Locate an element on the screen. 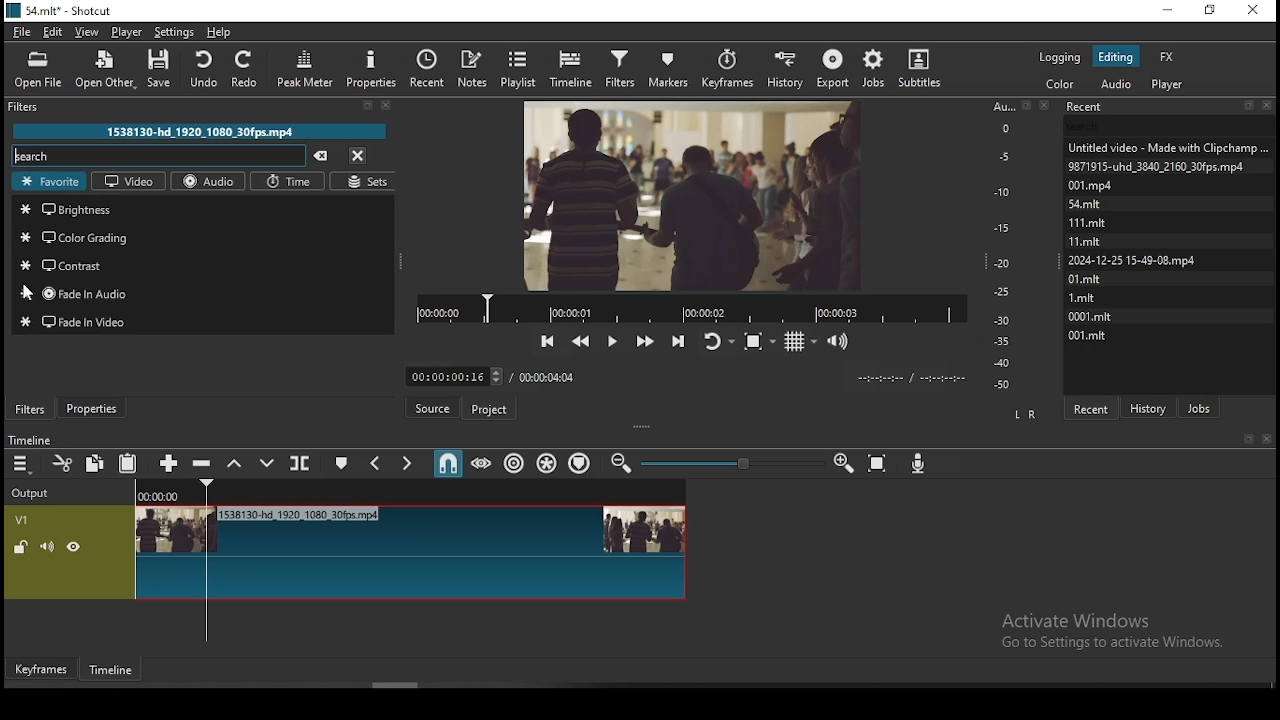 The image size is (1280, 720). search is located at coordinates (159, 156).